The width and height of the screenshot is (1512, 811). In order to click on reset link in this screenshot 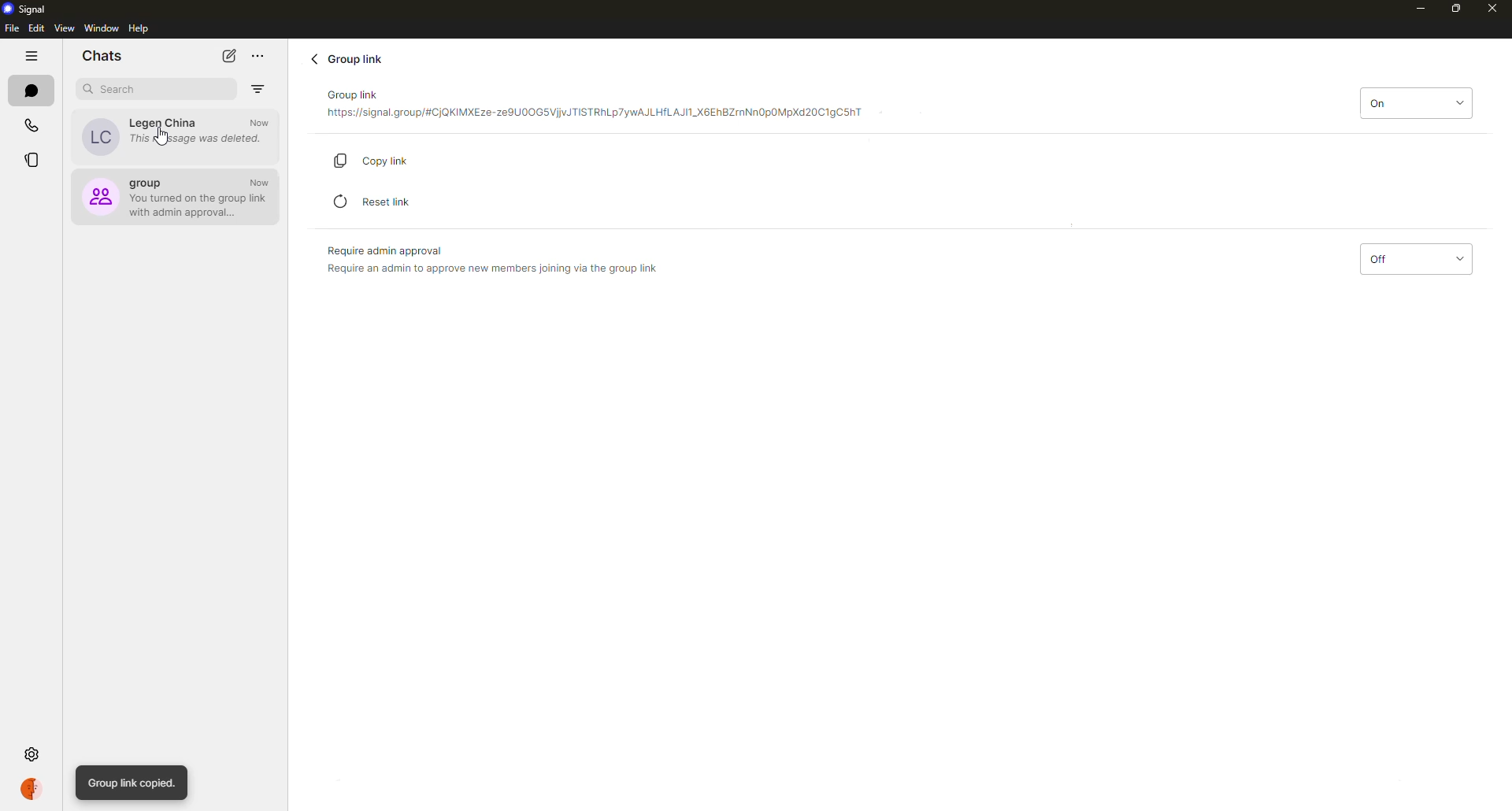, I will do `click(376, 201)`.